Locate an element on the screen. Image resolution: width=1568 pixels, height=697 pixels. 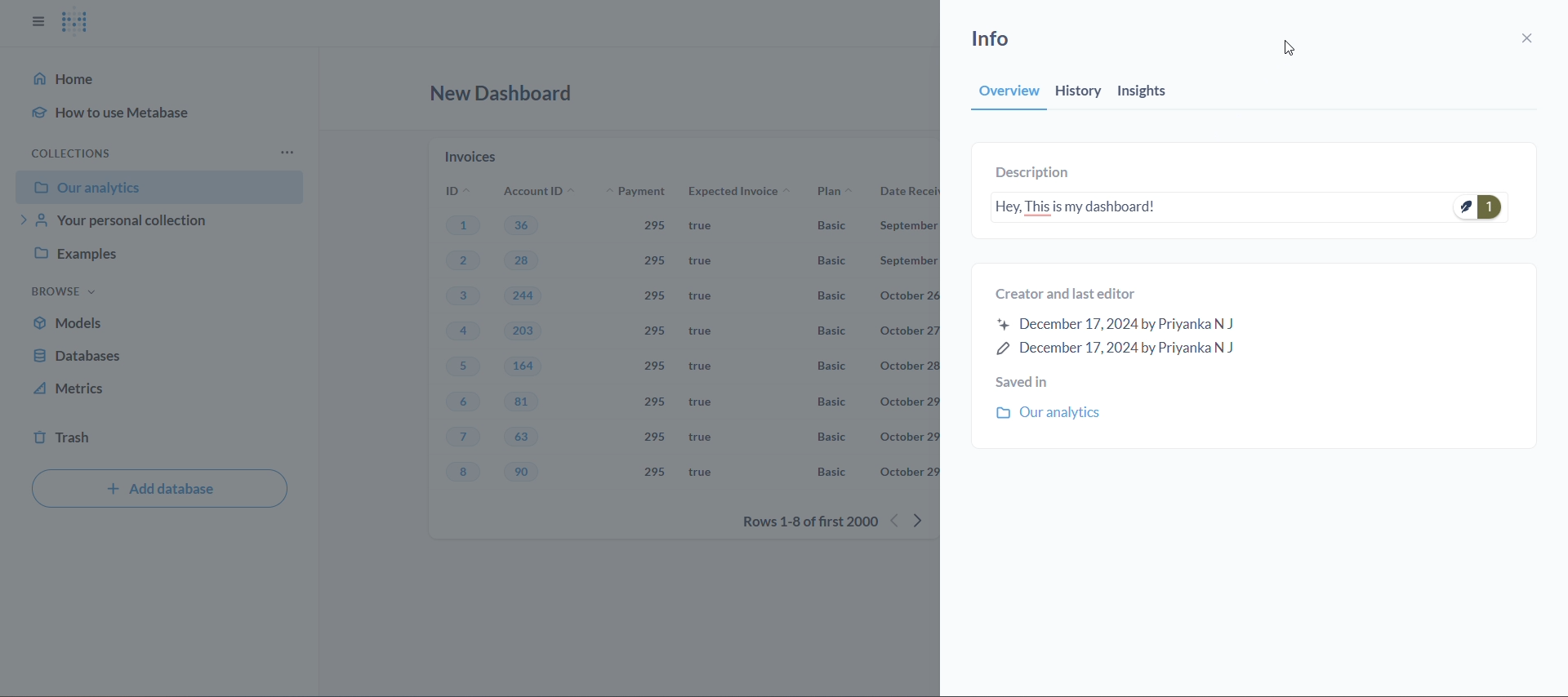
8 is located at coordinates (468, 474).